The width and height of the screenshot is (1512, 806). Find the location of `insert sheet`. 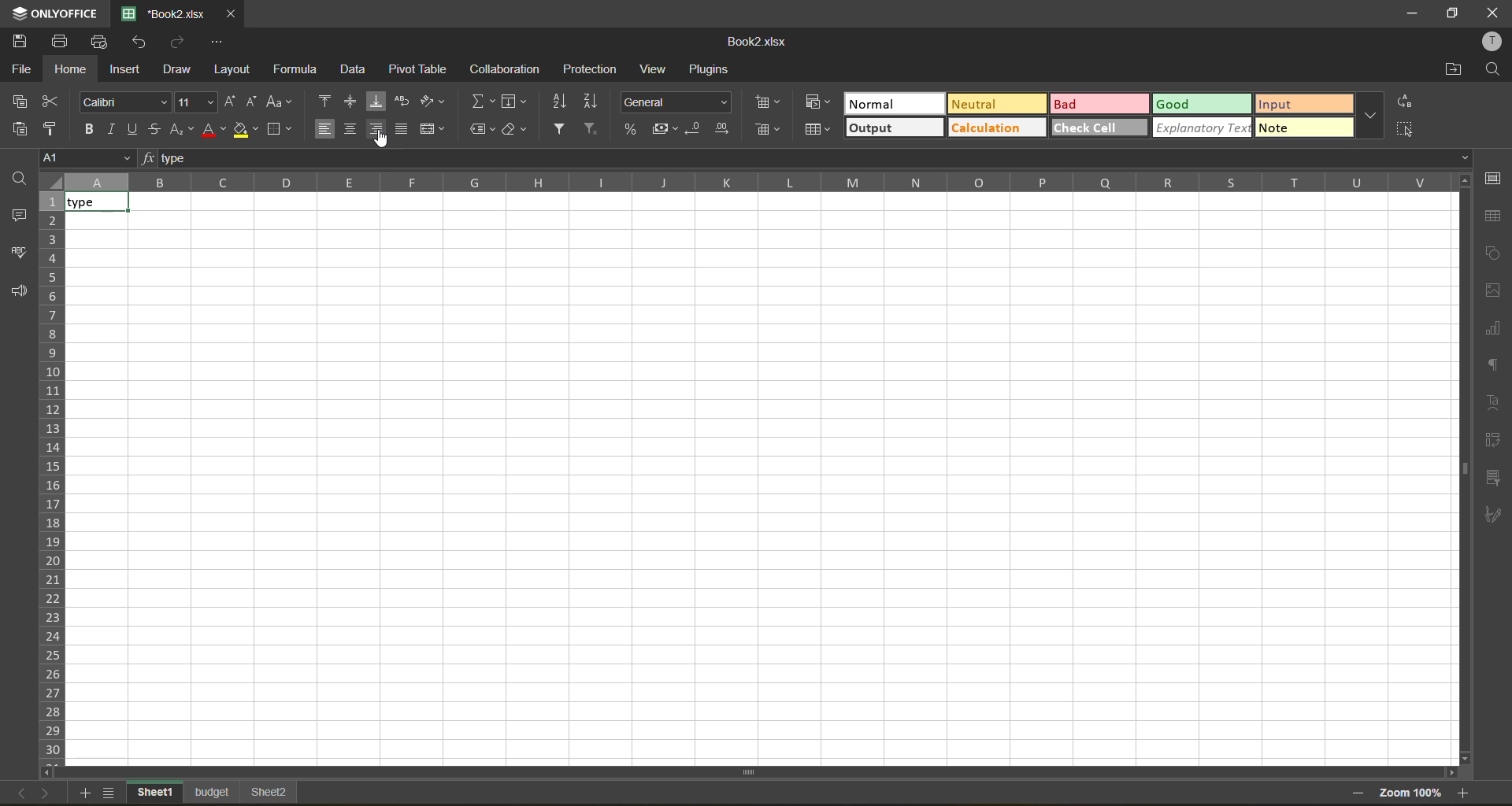

insert sheet is located at coordinates (87, 794).